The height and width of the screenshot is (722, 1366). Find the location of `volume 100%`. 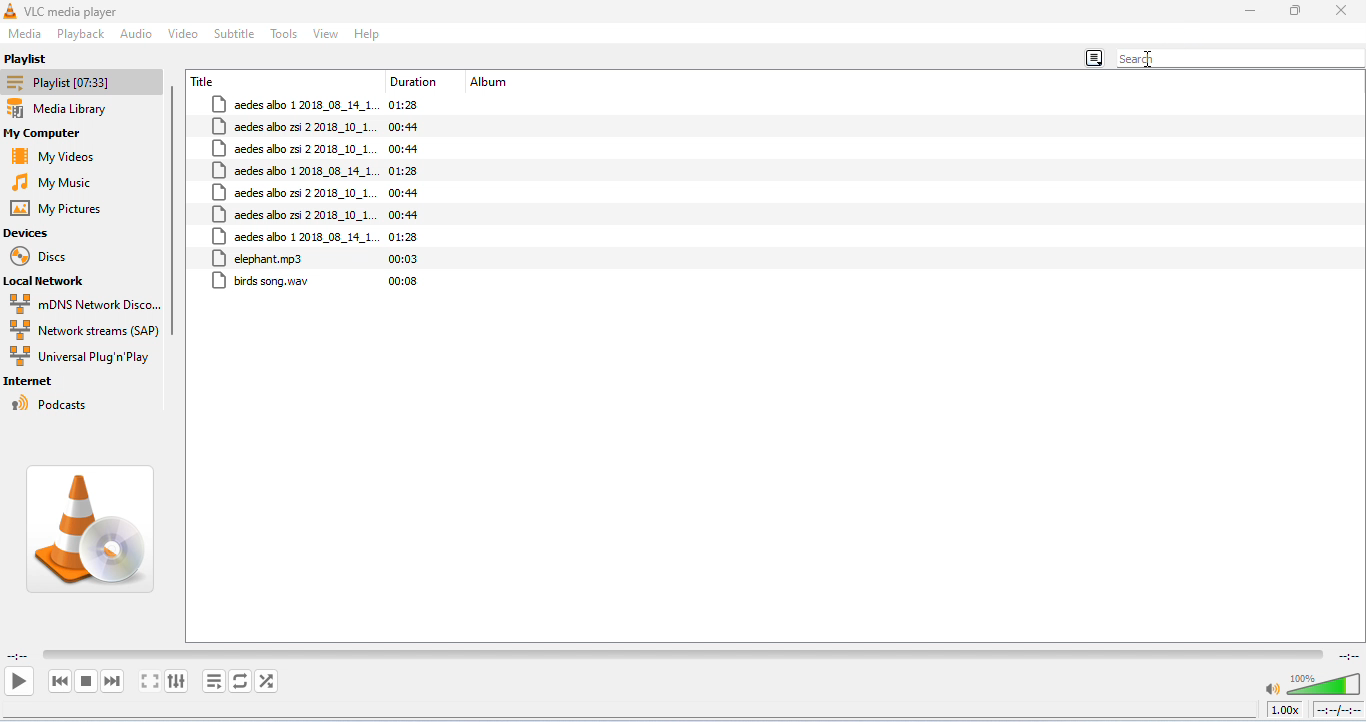

volume 100% is located at coordinates (1310, 680).